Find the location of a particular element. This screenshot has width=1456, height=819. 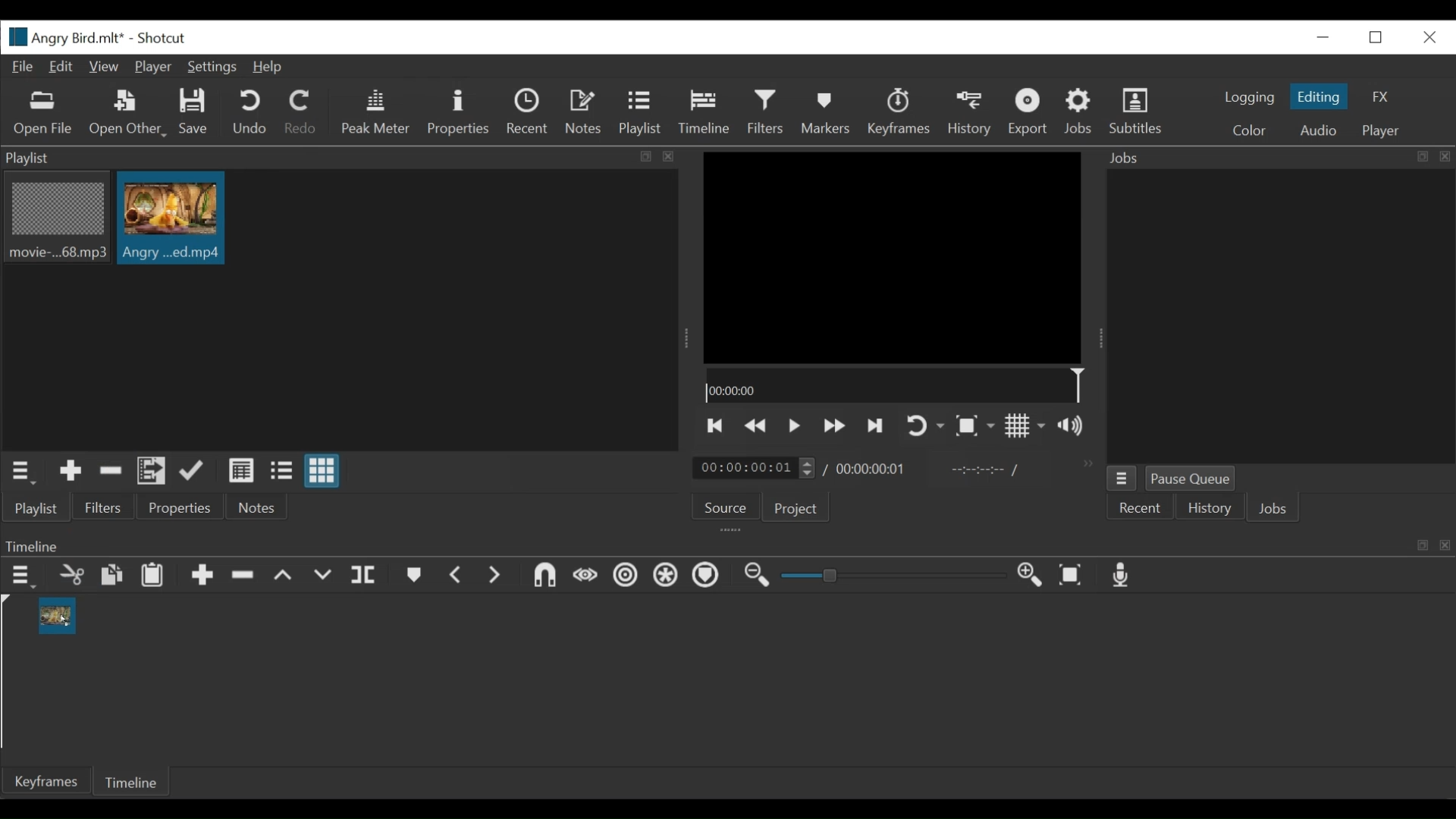

Save is located at coordinates (196, 115).